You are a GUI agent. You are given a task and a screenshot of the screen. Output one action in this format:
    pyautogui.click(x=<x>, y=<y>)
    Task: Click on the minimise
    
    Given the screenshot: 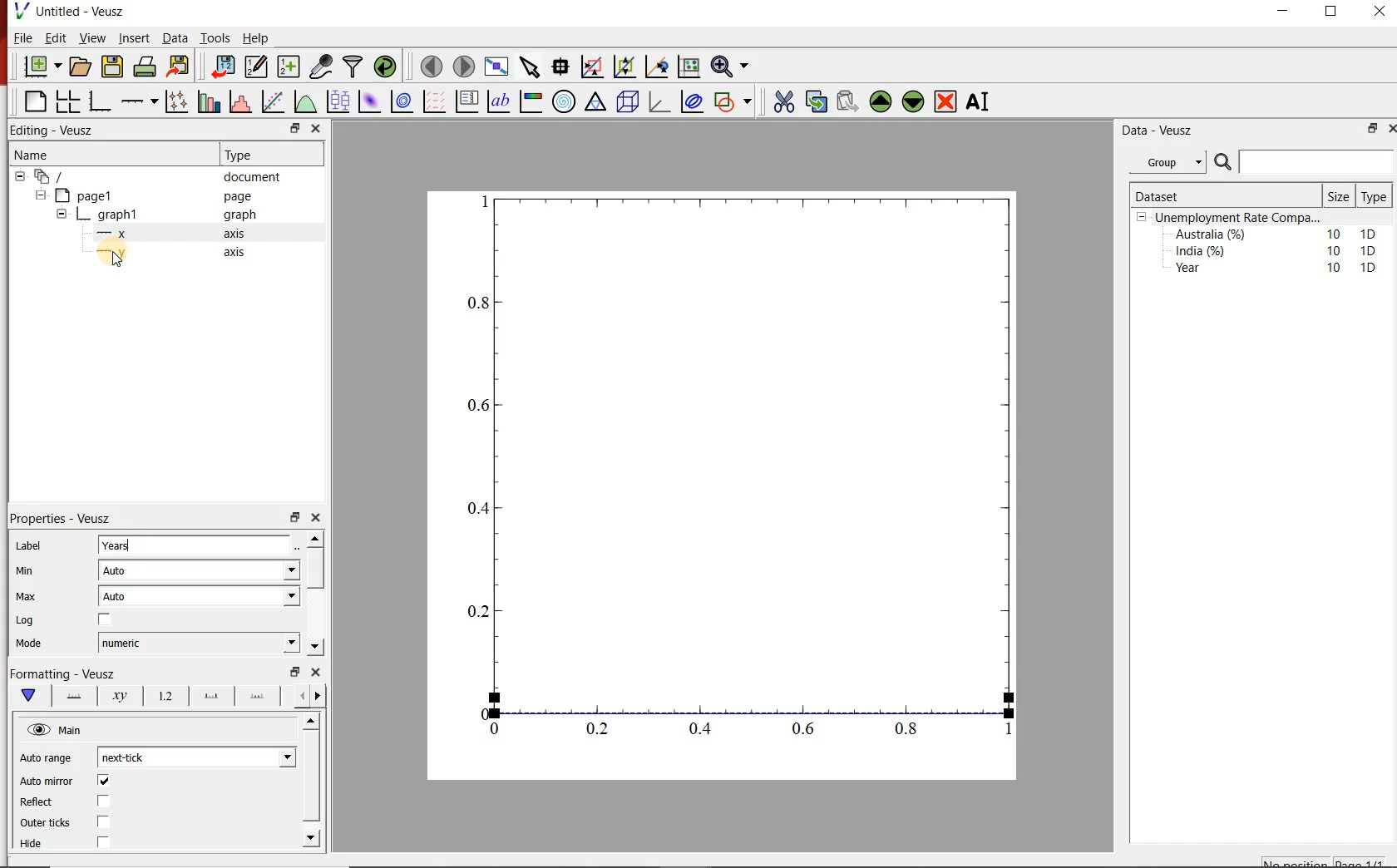 What is the action you would take?
    pyautogui.click(x=295, y=670)
    